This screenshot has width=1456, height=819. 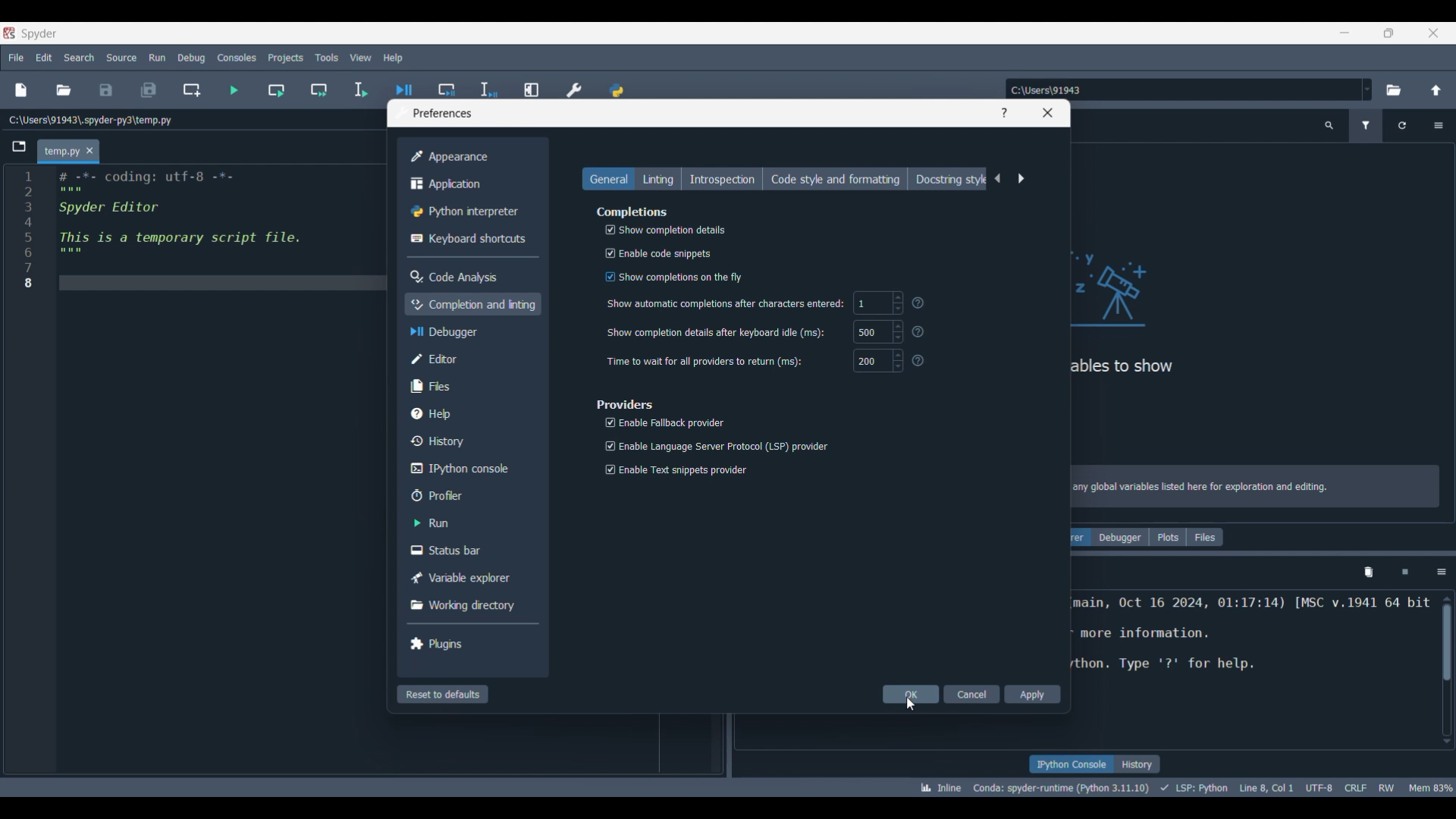 What do you see at coordinates (664, 422) in the screenshot?
I see `Enable Fallback provider` at bounding box center [664, 422].